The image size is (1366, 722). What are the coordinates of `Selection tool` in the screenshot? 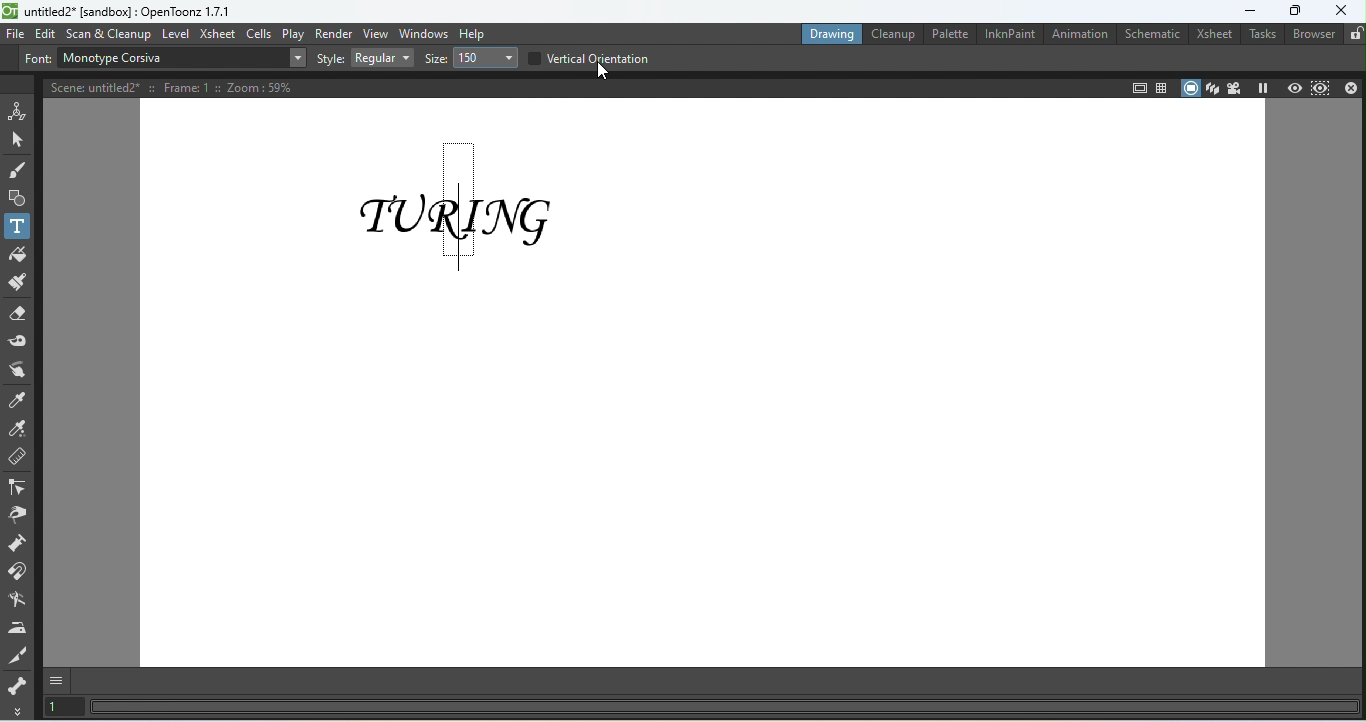 It's located at (19, 140).